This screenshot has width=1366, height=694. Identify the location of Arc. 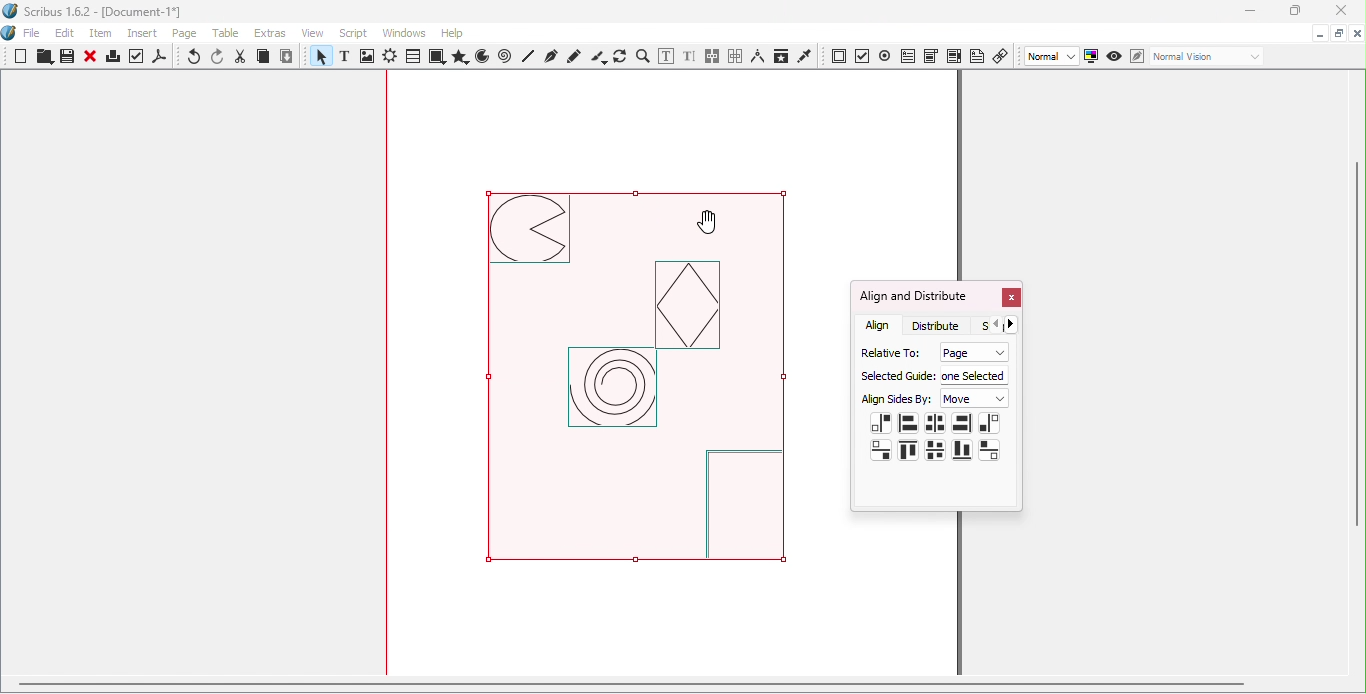
(482, 58).